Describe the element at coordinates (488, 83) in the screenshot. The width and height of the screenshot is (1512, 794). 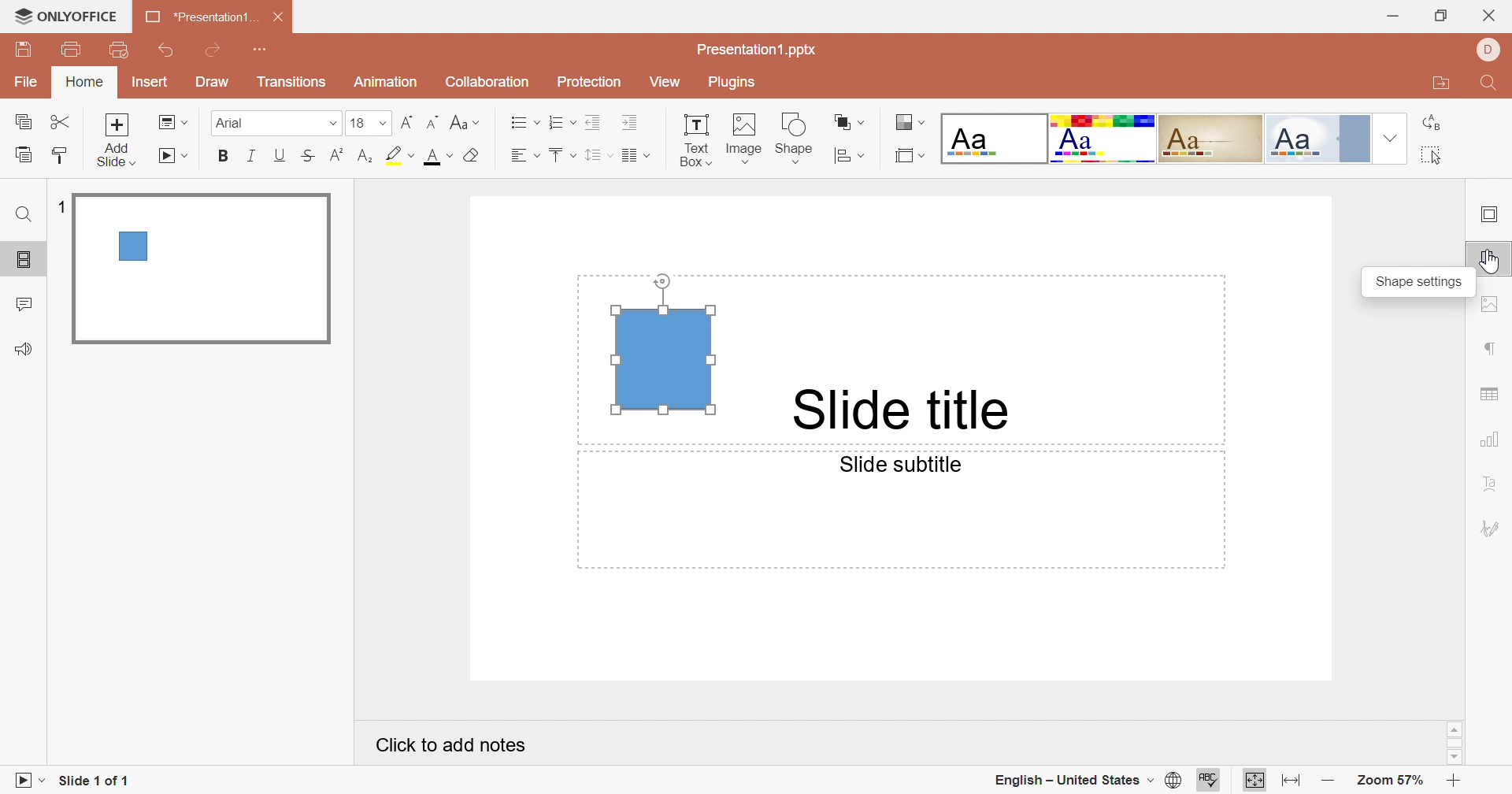
I see `Collaboration` at that location.